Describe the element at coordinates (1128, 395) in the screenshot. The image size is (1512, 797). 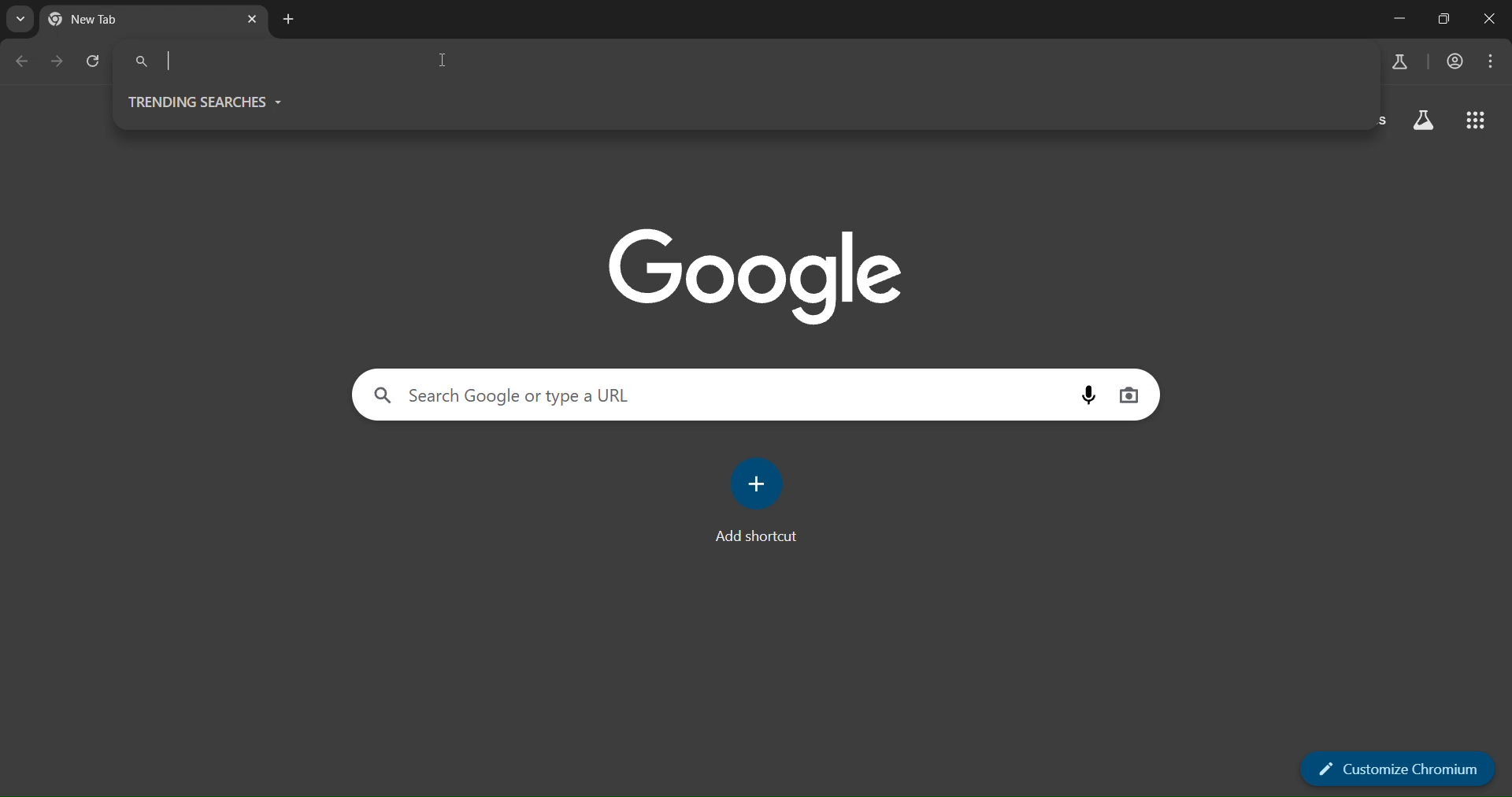
I see `image search` at that location.